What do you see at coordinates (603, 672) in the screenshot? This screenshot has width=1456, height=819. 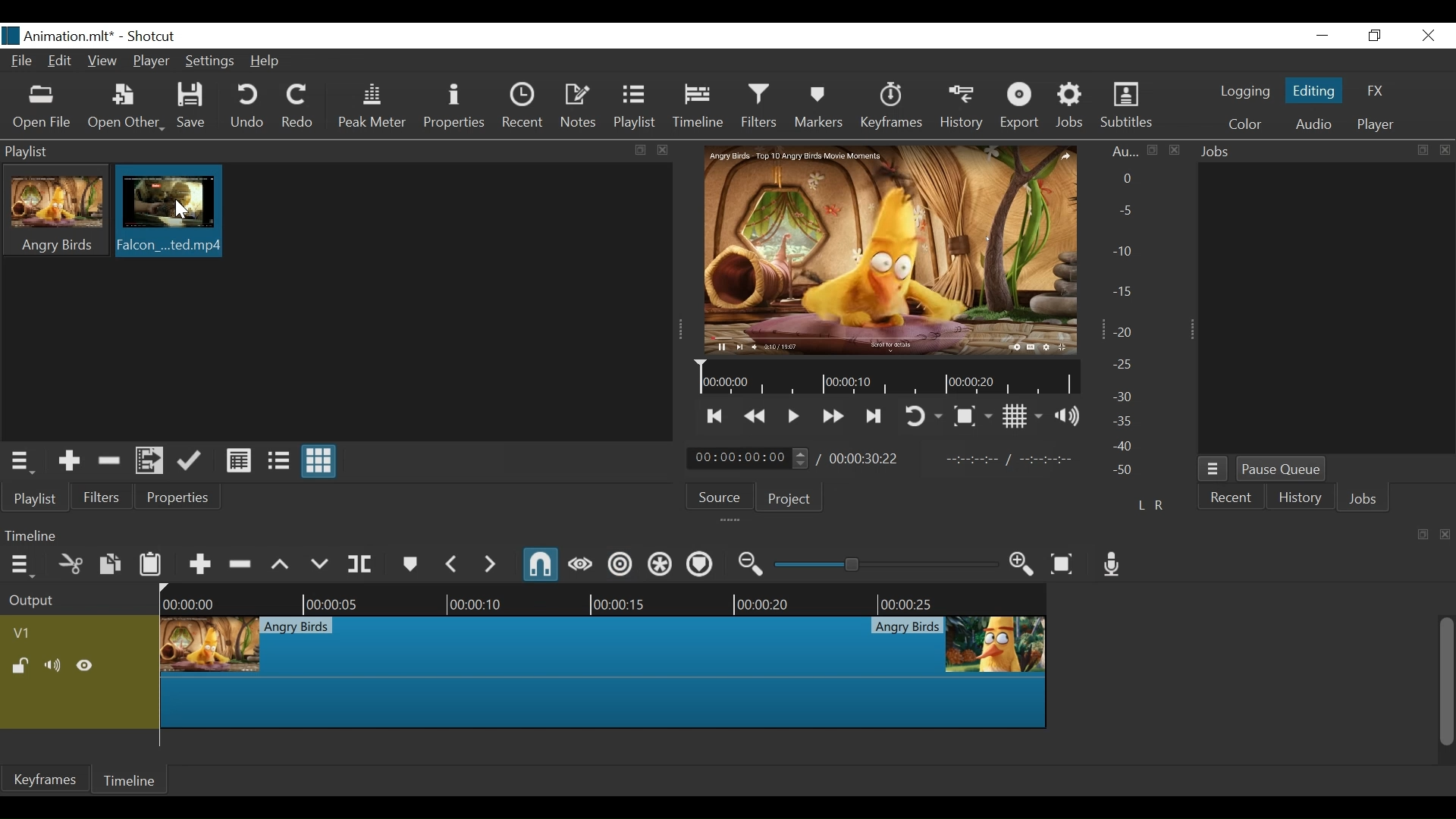 I see `Clip` at bounding box center [603, 672].